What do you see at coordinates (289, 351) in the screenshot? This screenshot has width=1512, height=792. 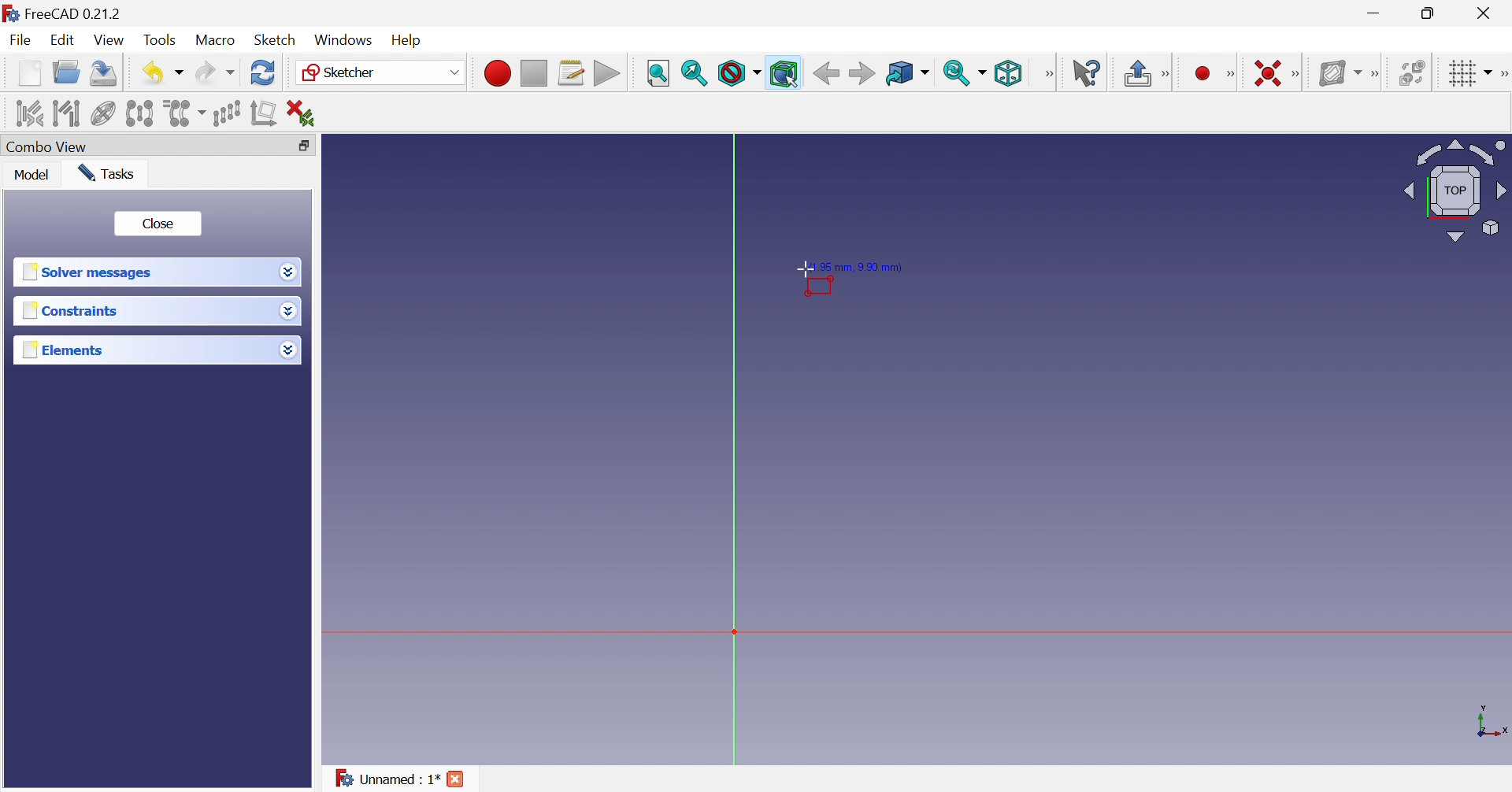 I see `Drop down` at bounding box center [289, 351].